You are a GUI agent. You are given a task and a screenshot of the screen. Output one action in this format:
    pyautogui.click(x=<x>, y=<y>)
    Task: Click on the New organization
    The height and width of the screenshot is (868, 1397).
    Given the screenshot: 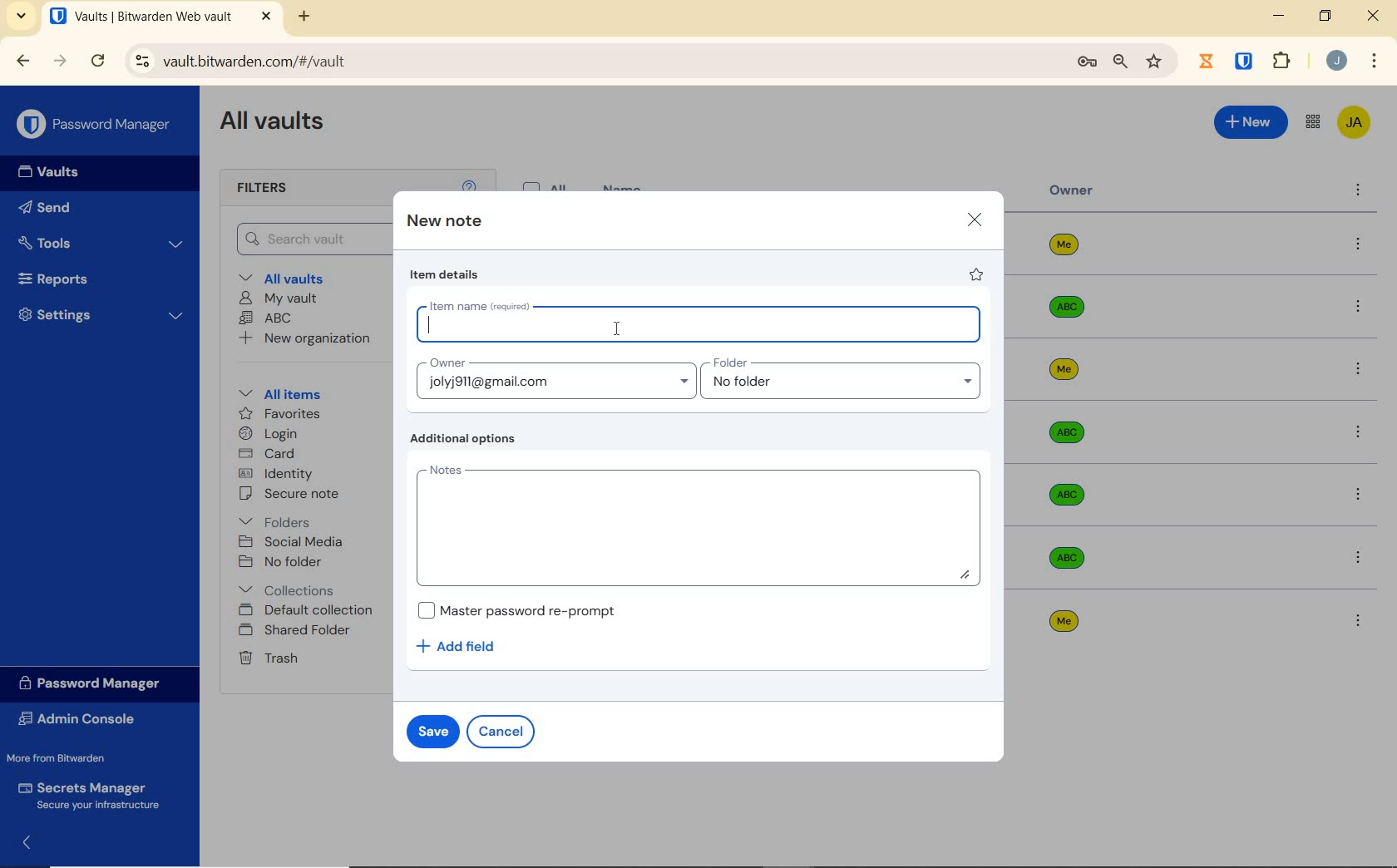 What is the action you would take?
    pyautogui.click(x=310, y=341)
    